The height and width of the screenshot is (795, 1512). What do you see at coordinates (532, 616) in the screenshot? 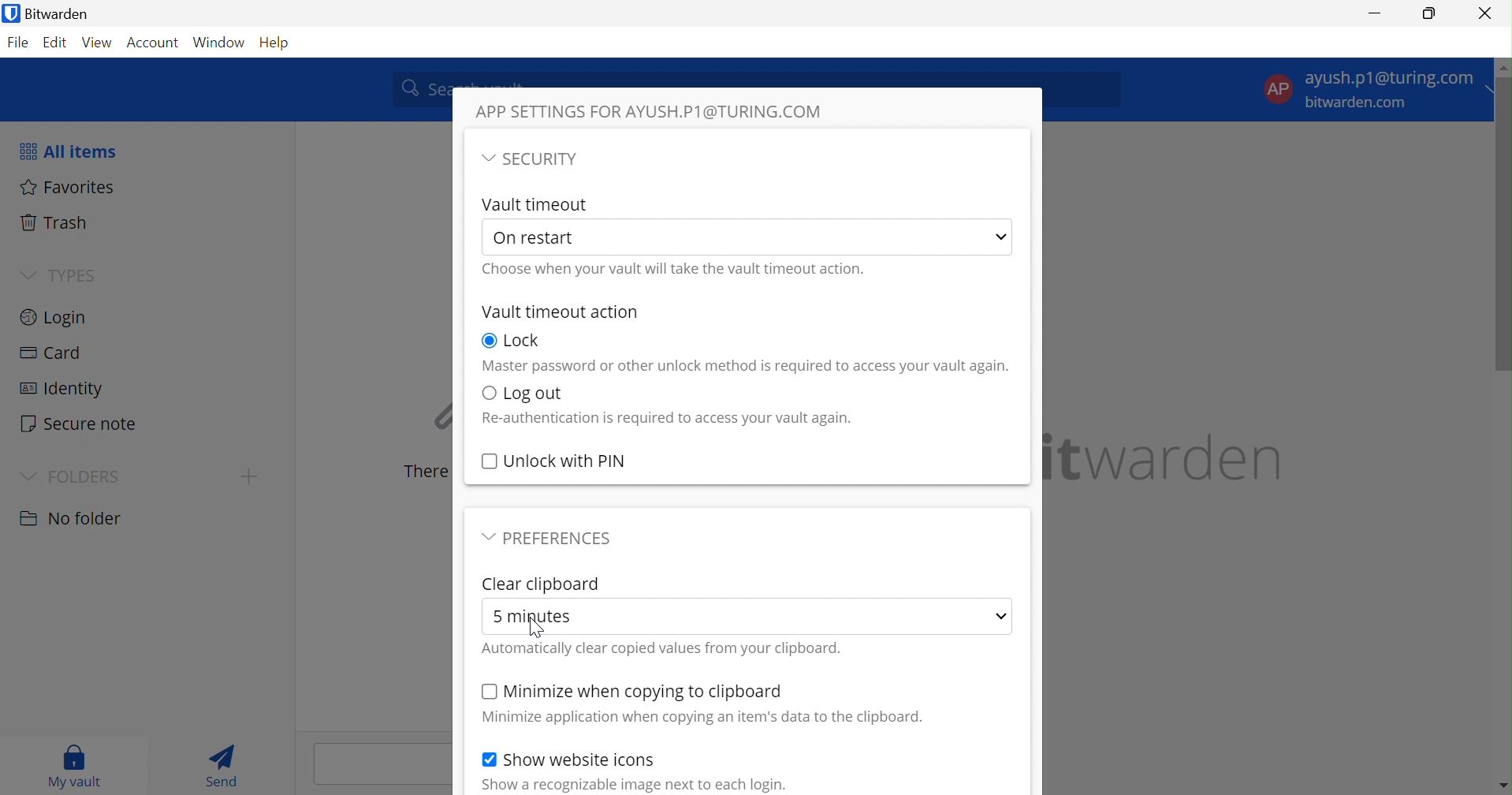
I see `5 minutes` at bounding box center [532, 616].